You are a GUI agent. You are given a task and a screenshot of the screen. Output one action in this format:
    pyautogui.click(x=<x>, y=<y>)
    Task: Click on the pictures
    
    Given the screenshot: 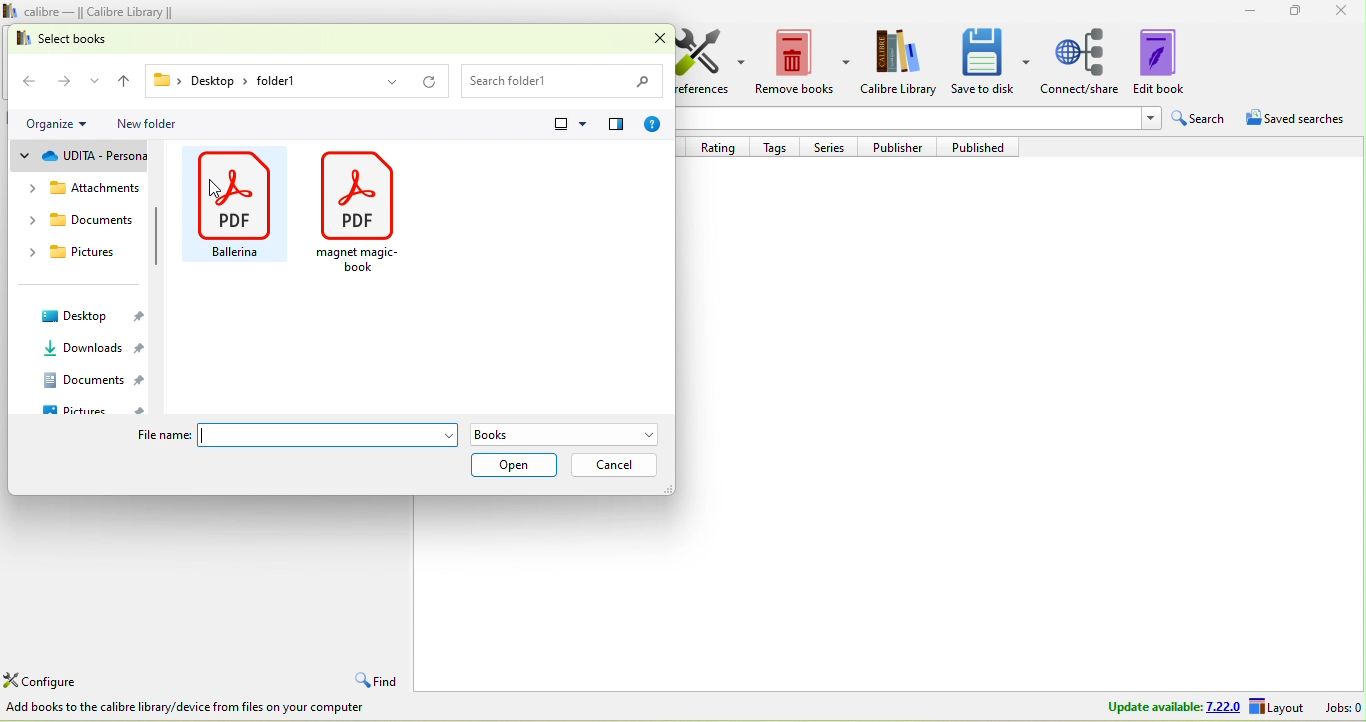 What is the action you would take?
    pyautogui.click(x=91, y=411)
    